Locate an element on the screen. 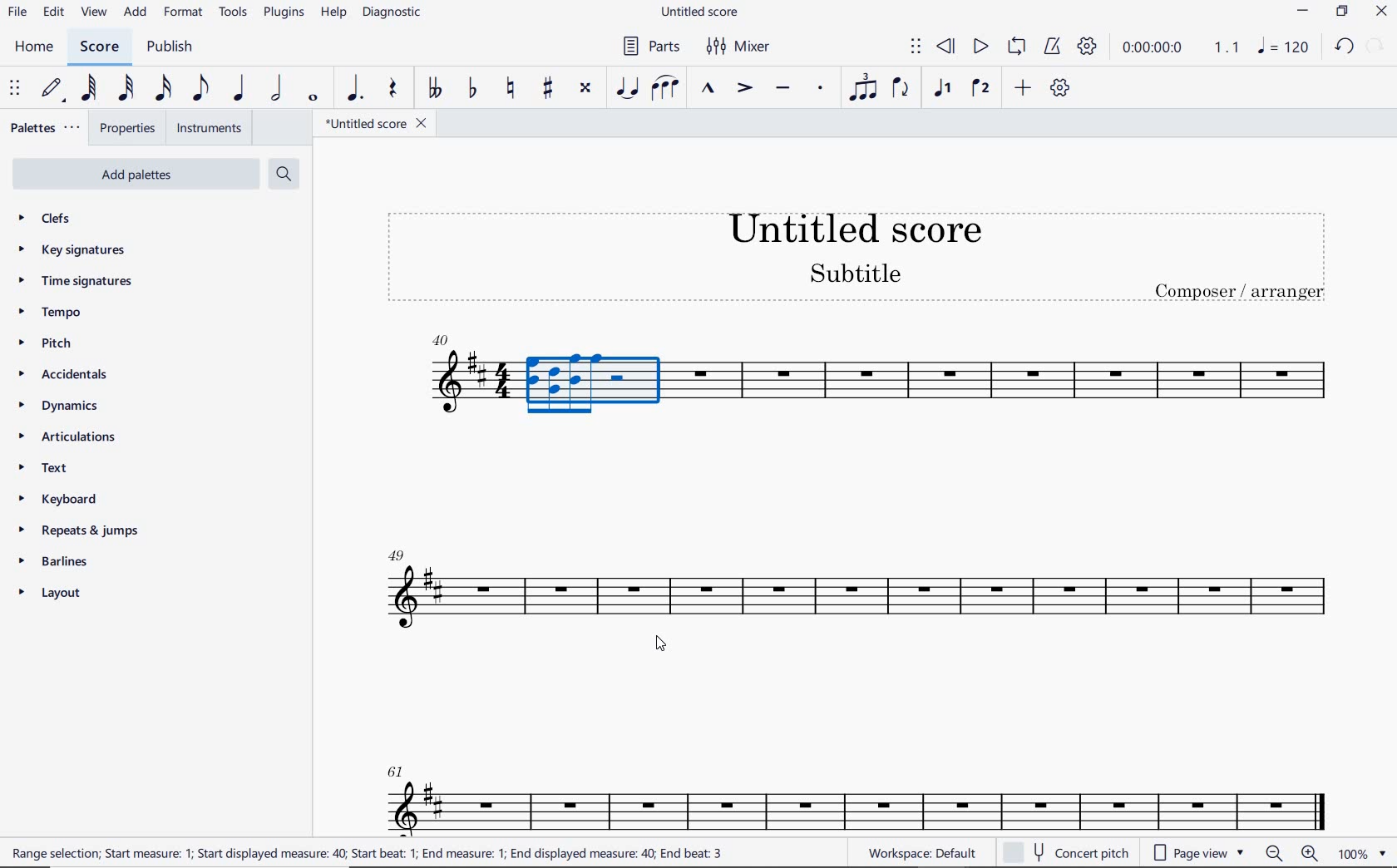 This screenshot has width=1397, height=868. ARTICULATIONS is located at coordinates (68, 438).